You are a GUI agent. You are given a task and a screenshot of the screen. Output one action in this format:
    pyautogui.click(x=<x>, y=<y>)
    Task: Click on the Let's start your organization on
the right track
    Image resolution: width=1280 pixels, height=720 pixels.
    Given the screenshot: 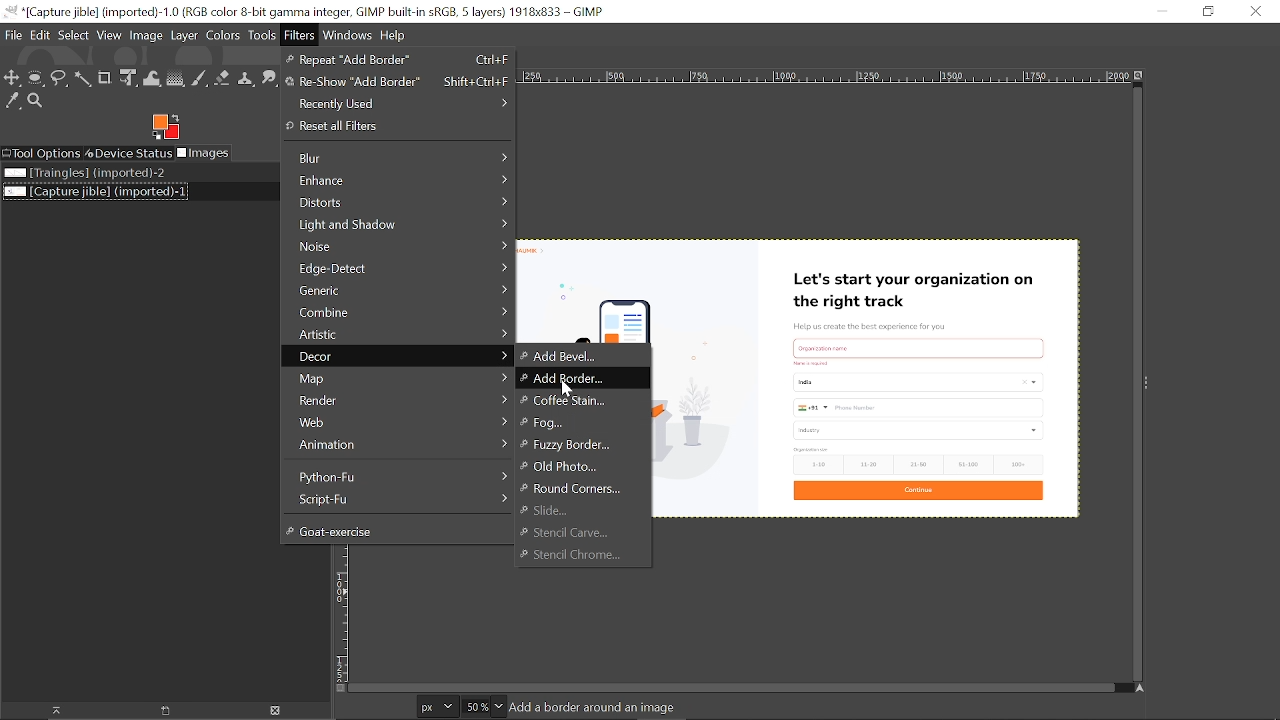 What is the action you would take?
    pyautogui.click(x=910, y=289)
    